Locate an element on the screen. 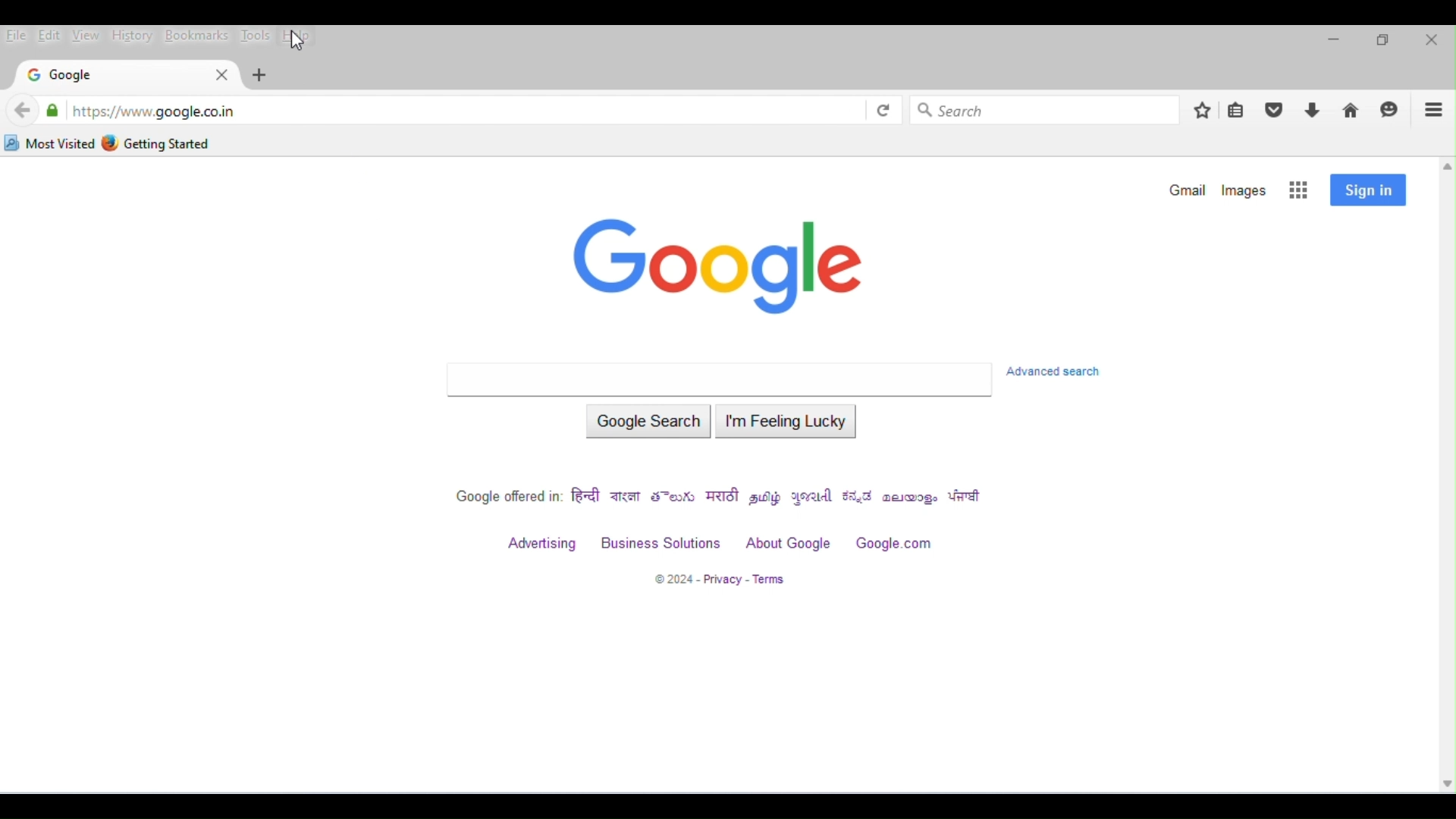 The image size is (1456, 819). sign in is located at coordinates (1368, 190).